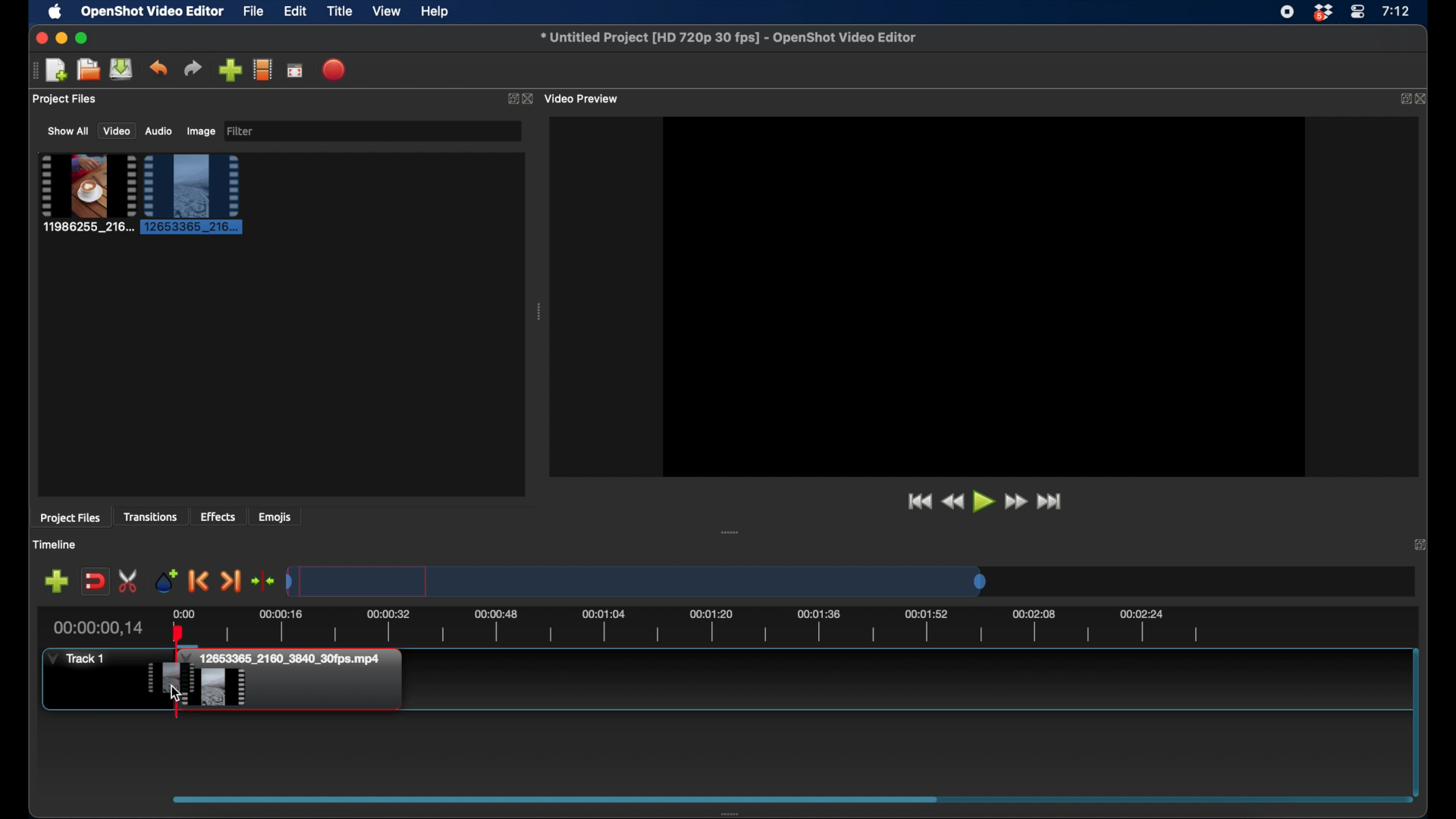 The width and height of the screenshot is (1456, 819). I want to click on show all, so click(67, 130).